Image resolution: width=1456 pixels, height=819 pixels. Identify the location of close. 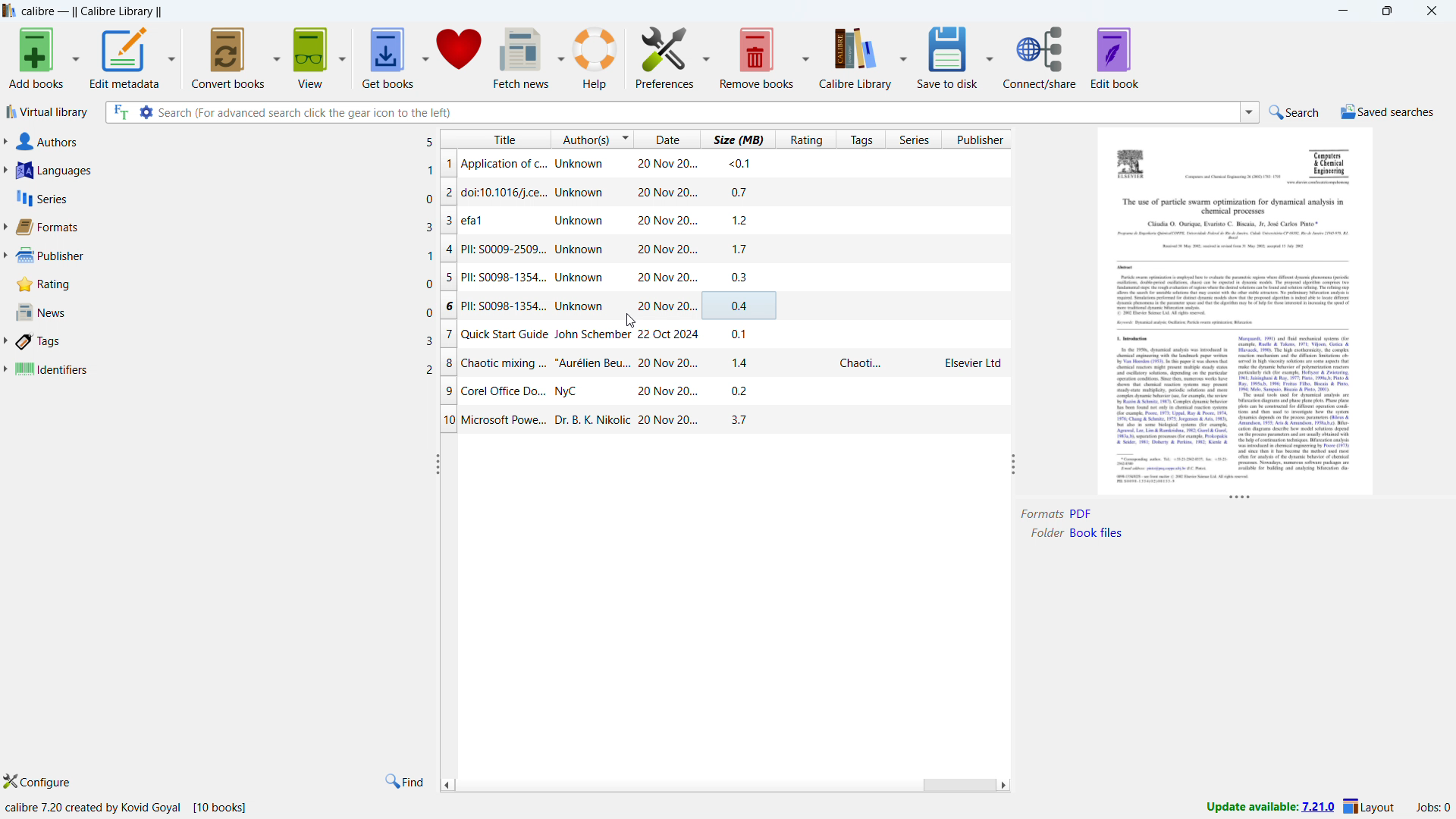
(1432, 11).